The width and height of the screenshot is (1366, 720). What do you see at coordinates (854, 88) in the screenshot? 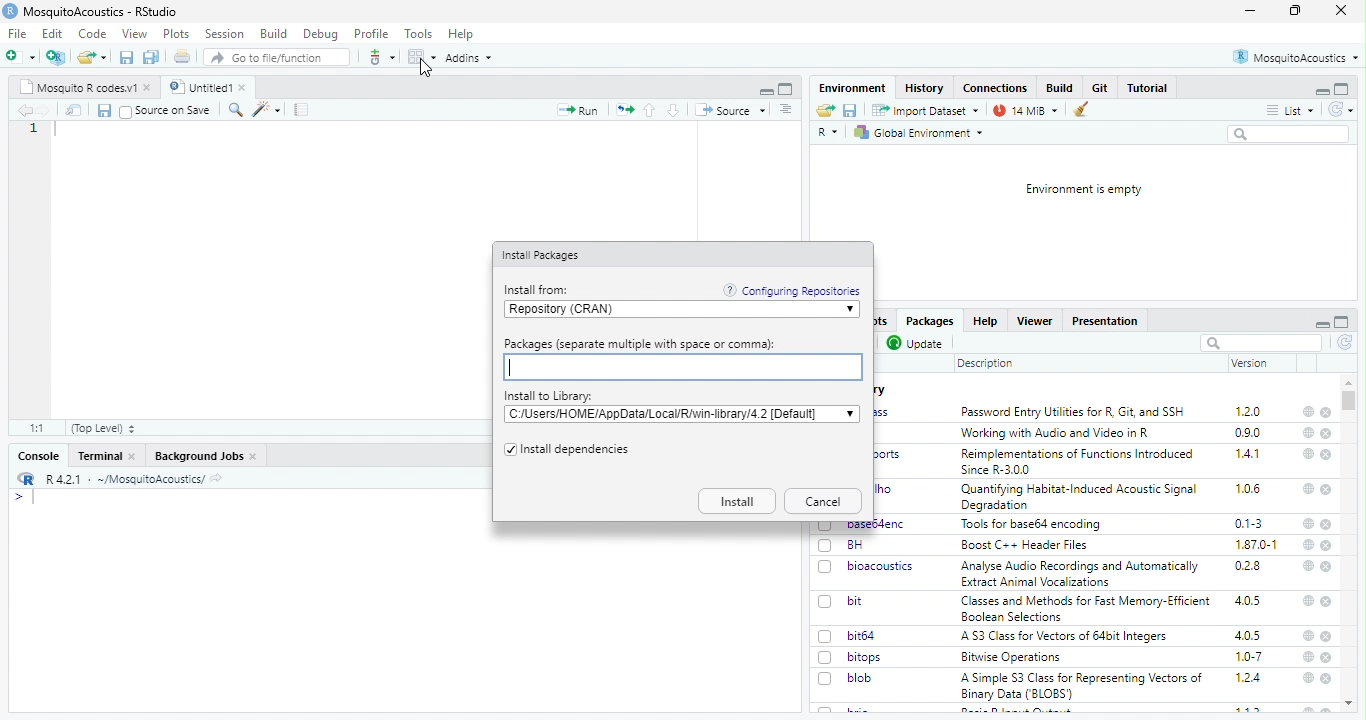
I see `Environment` at bounding box center [854, 88].